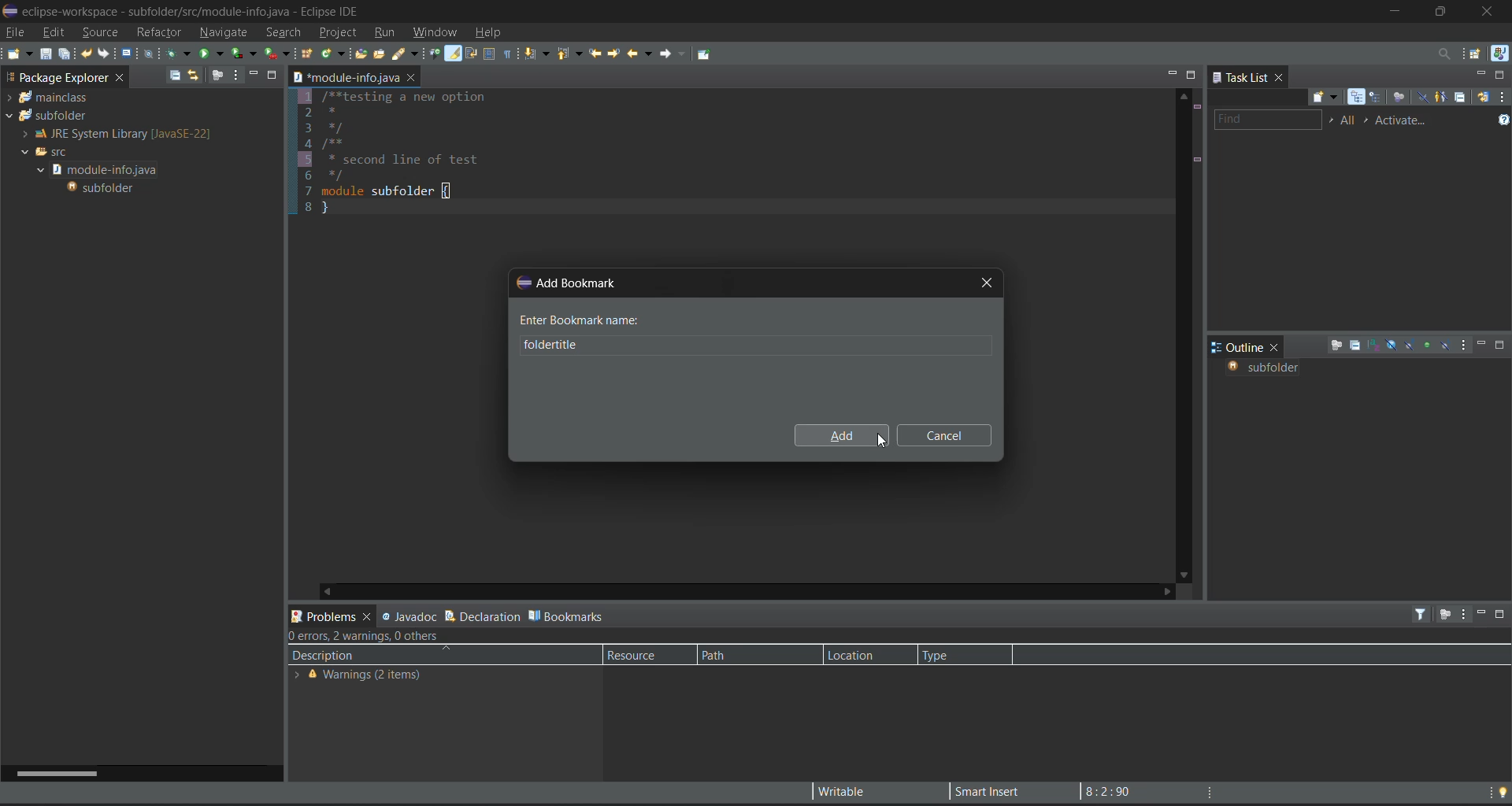  What do you see at coordinates (1423, 614) in the screenshot?
I see `filters` at bounding box center [1423, 614].